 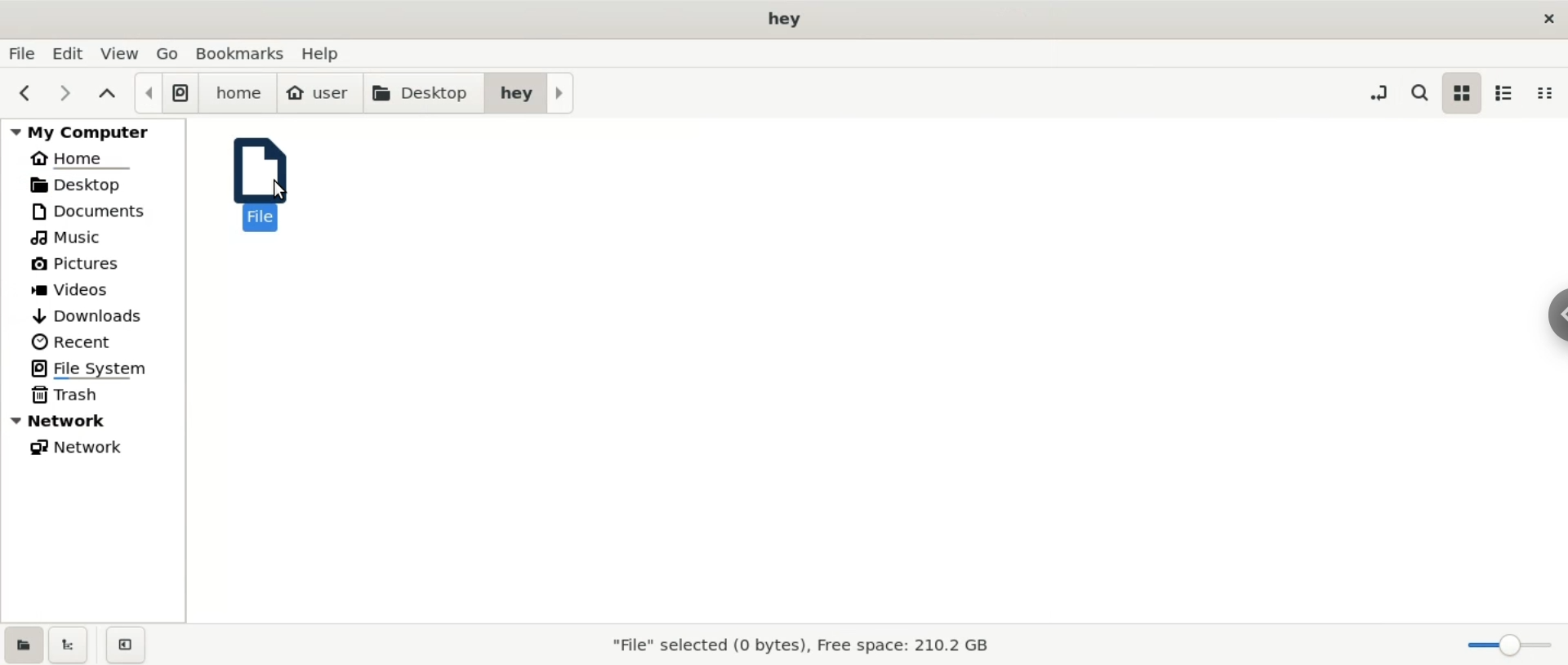 What do you see at coordinates (109, 95) in the screenshot?
I see `parent folder` at bounding box center [109, 95].